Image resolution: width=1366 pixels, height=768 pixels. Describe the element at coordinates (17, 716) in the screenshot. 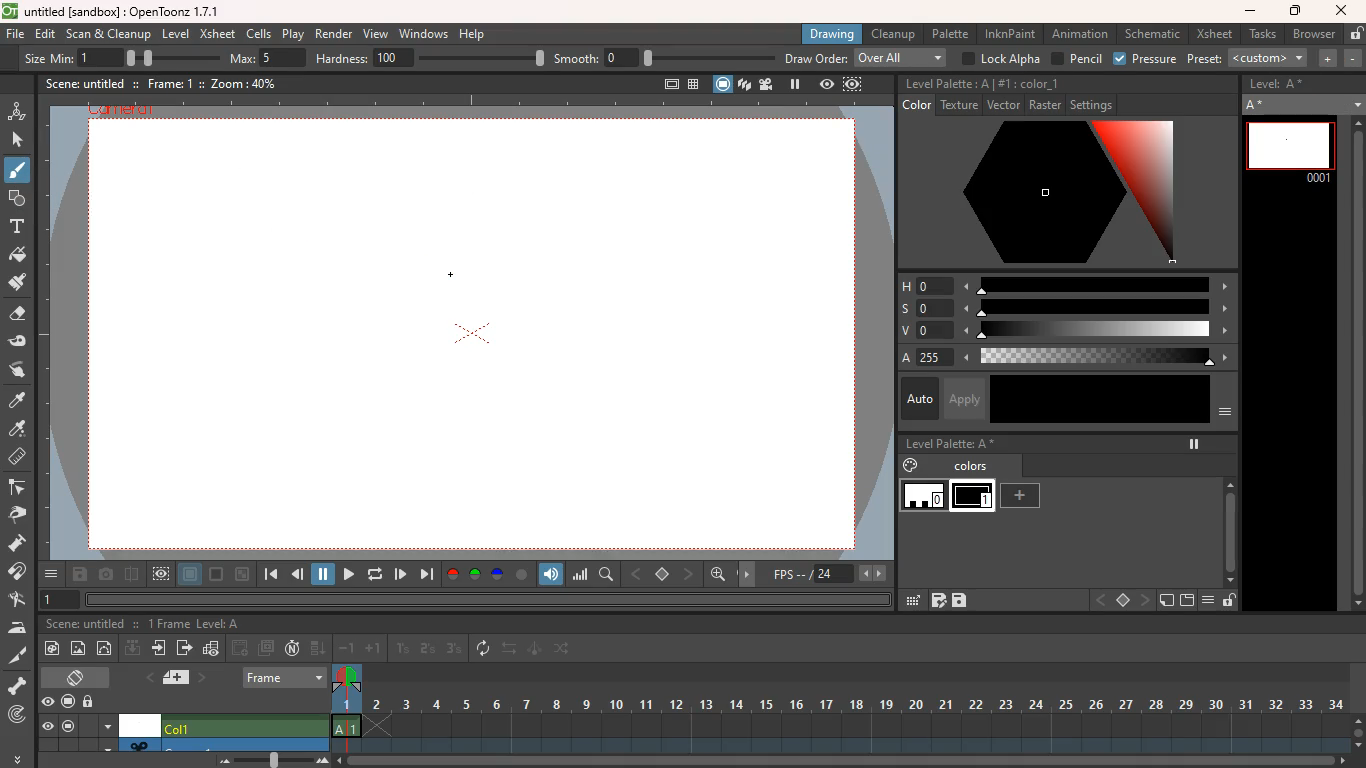

I see `locate` at that location.